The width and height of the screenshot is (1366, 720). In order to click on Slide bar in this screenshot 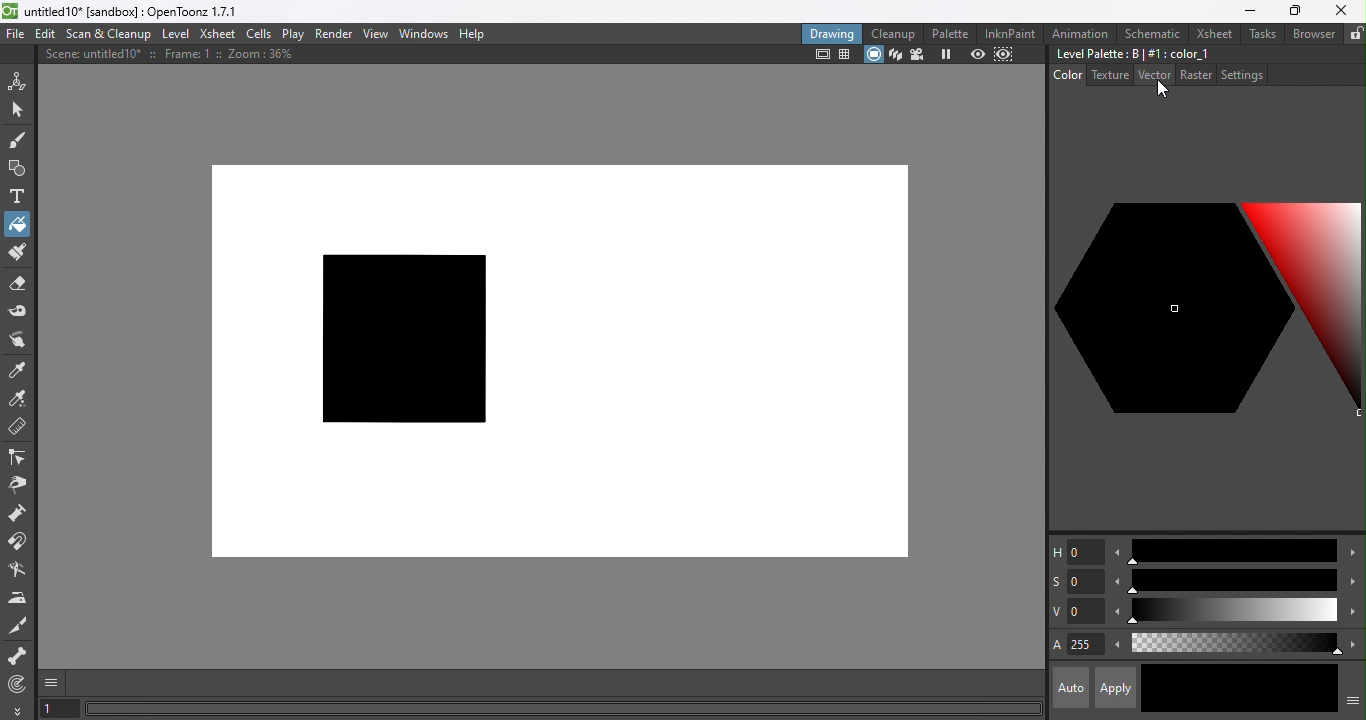, I will do `click(1234, 644)`.